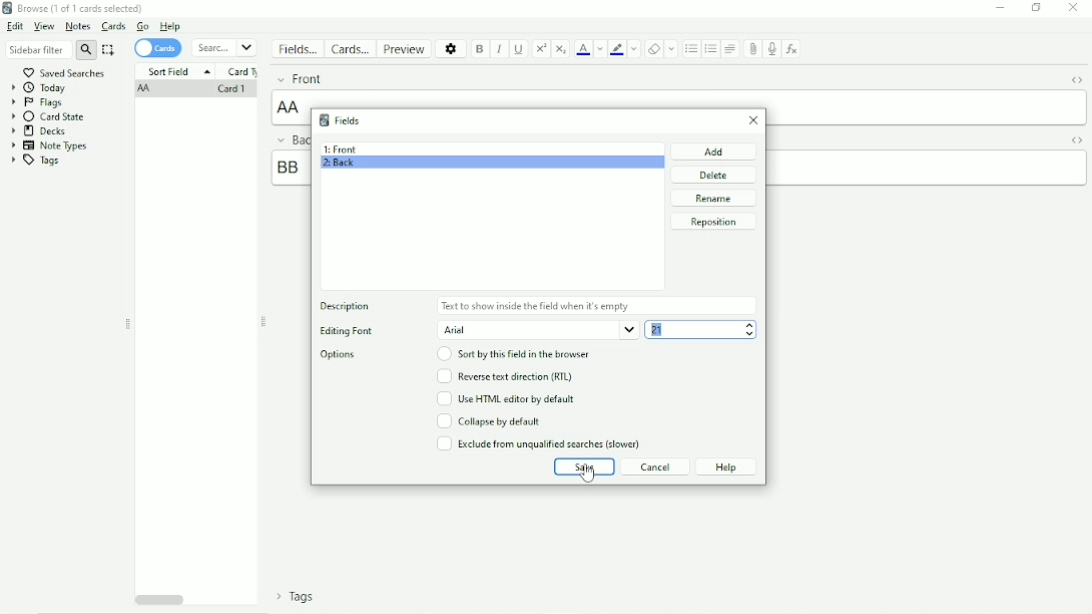 Image resolution: width=1092 pixels, height=614 pixels. Describe the element at coordinates (1037, 7) in the screenshot. I see `Restore down` at that location.